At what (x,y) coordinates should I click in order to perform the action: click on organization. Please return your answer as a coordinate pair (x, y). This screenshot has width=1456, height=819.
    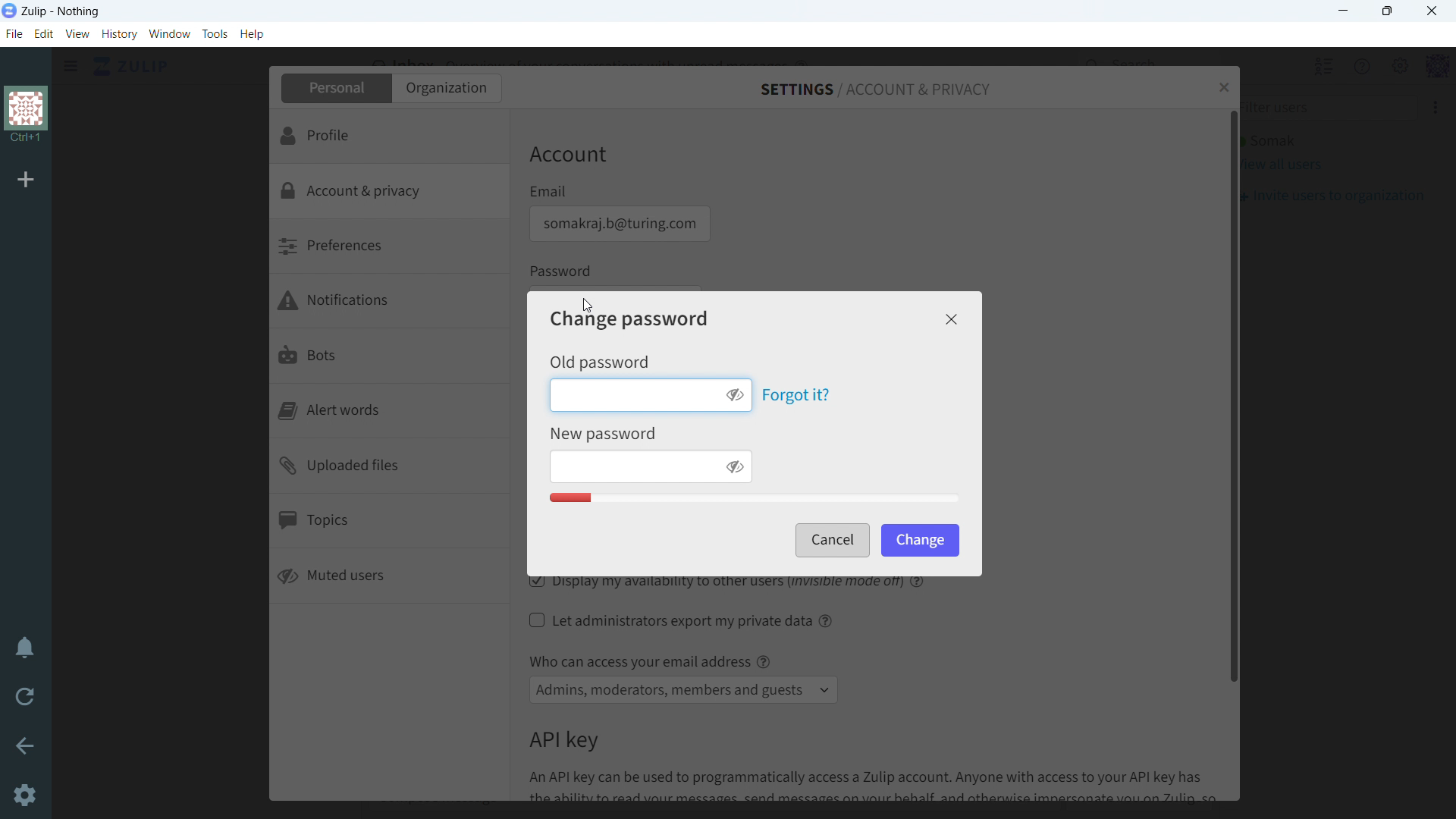
    Looking at the image, I should click on (27, 116).